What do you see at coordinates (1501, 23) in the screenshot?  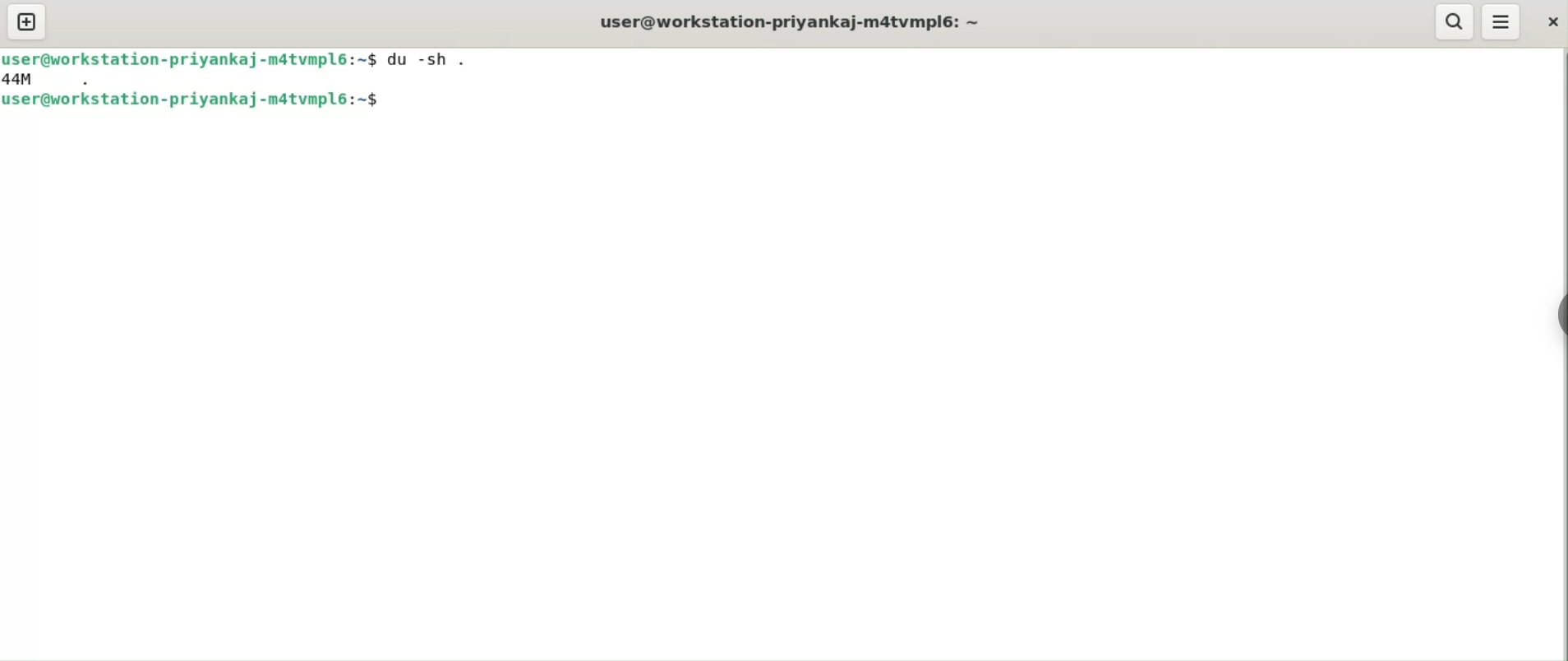 I see `menu` at bounding box center [1501, 23].